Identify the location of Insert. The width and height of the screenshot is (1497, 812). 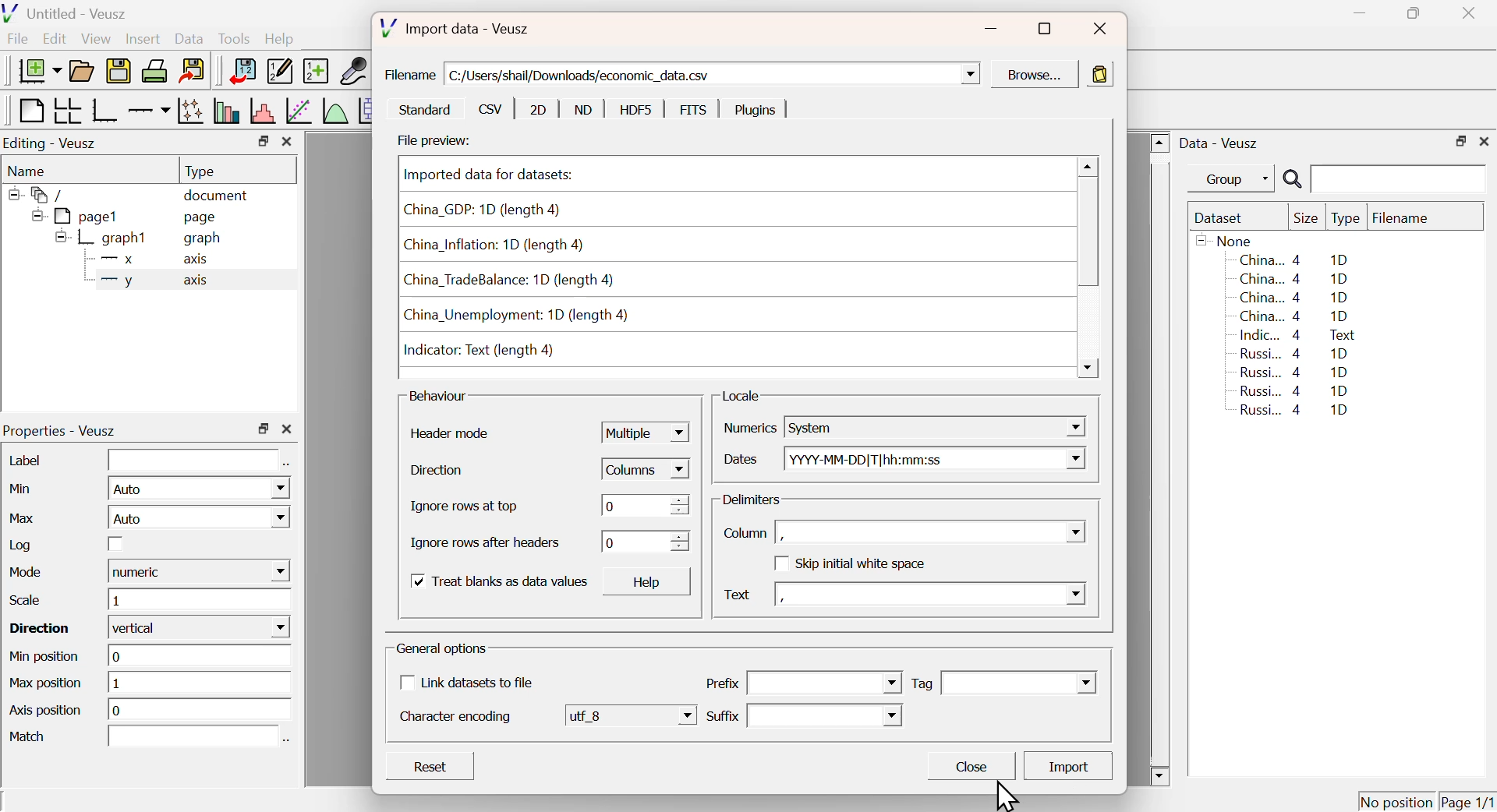
(141, 40).